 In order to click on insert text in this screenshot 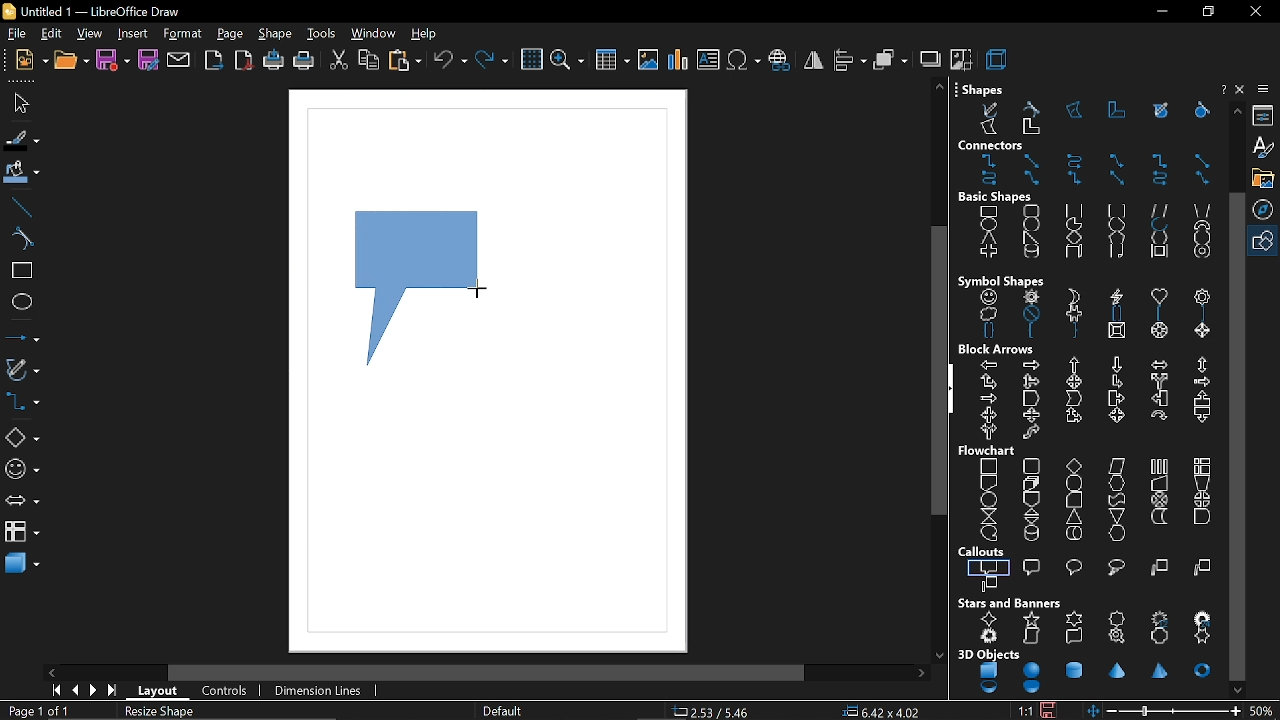, I will do `click(709, 61)`.